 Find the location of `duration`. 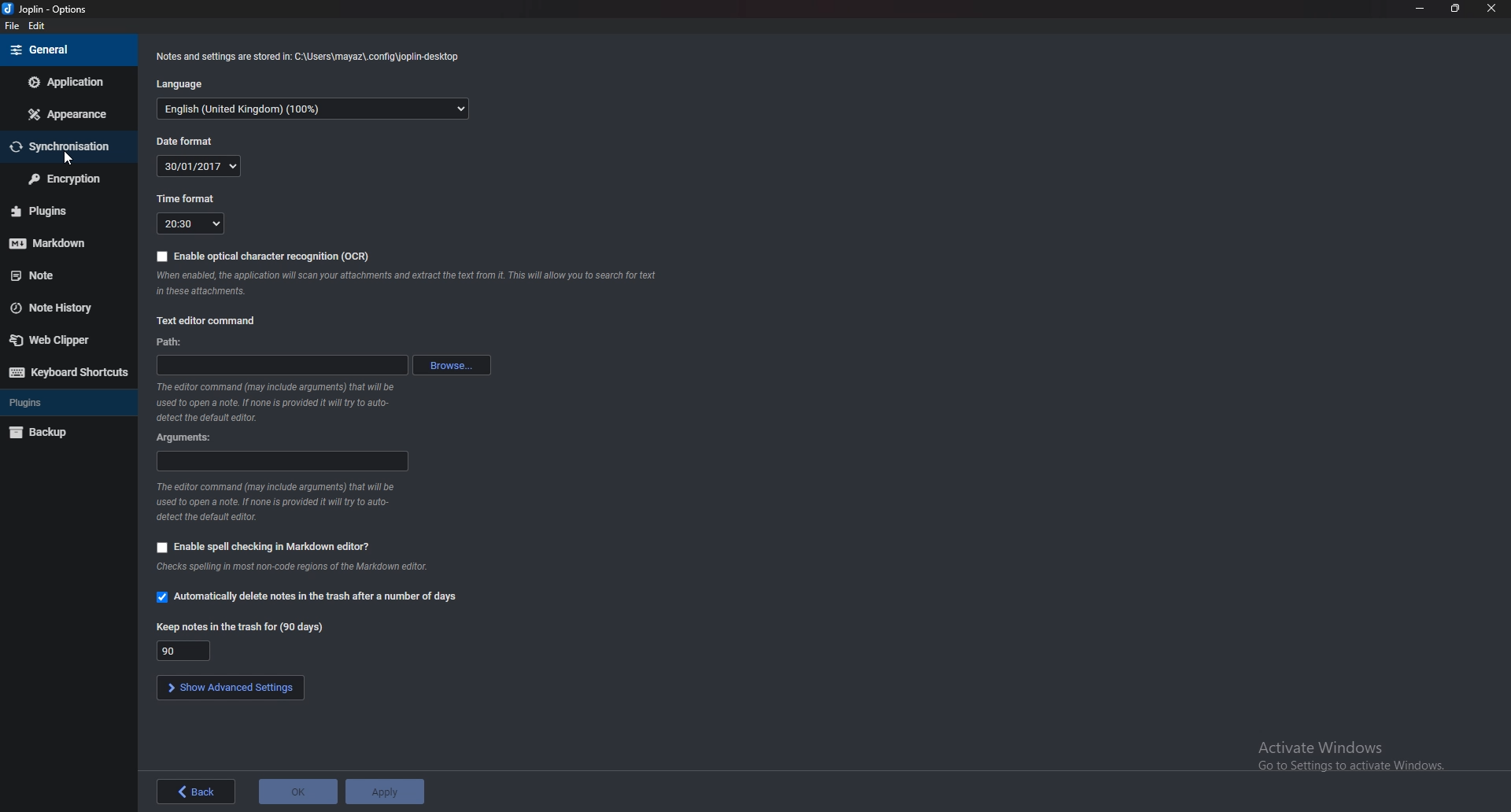

duration is located at coordinates (184, 651).